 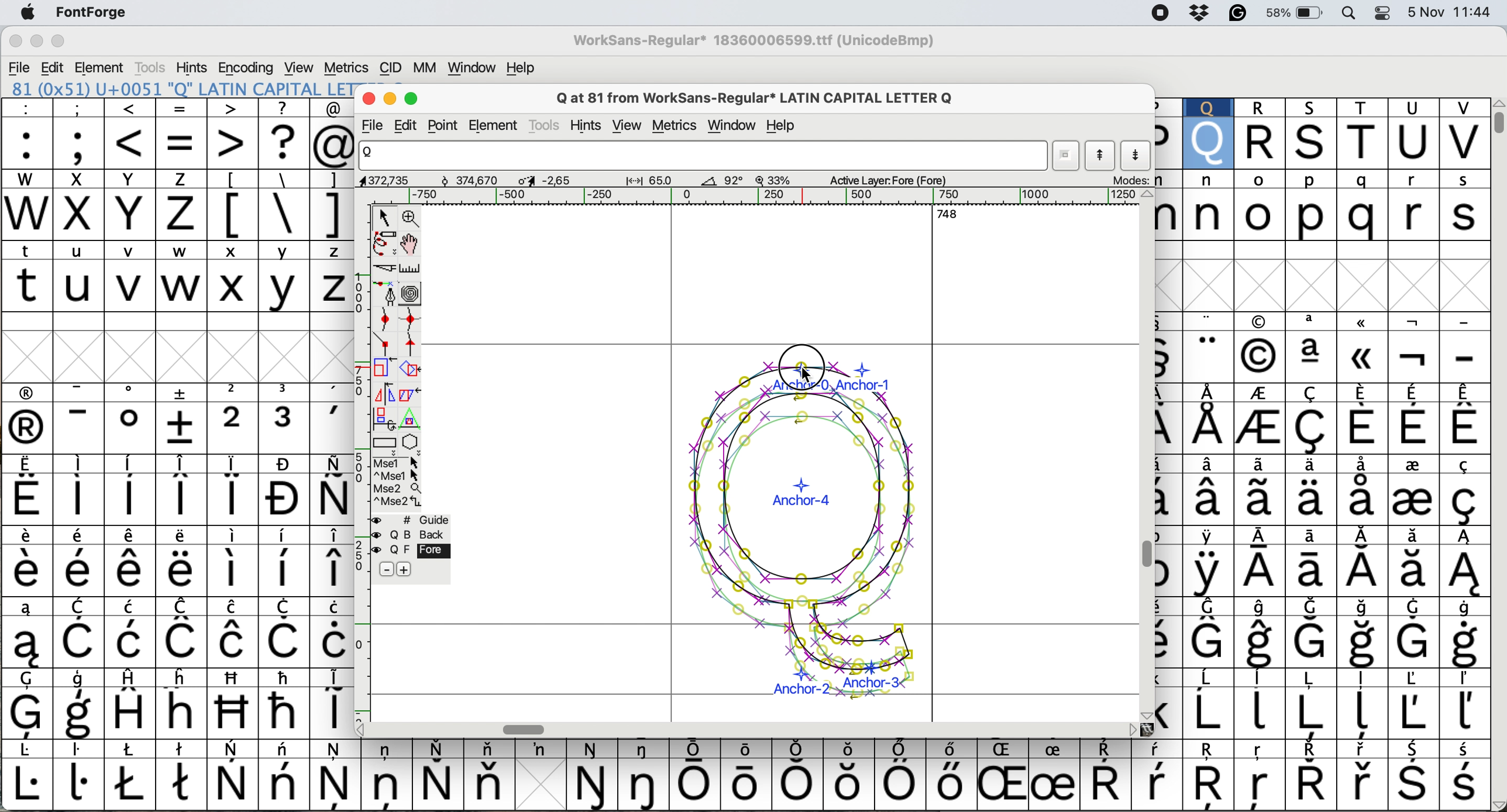 I want to click on 5 Nov 11:44, so click(x=1449, y=17).